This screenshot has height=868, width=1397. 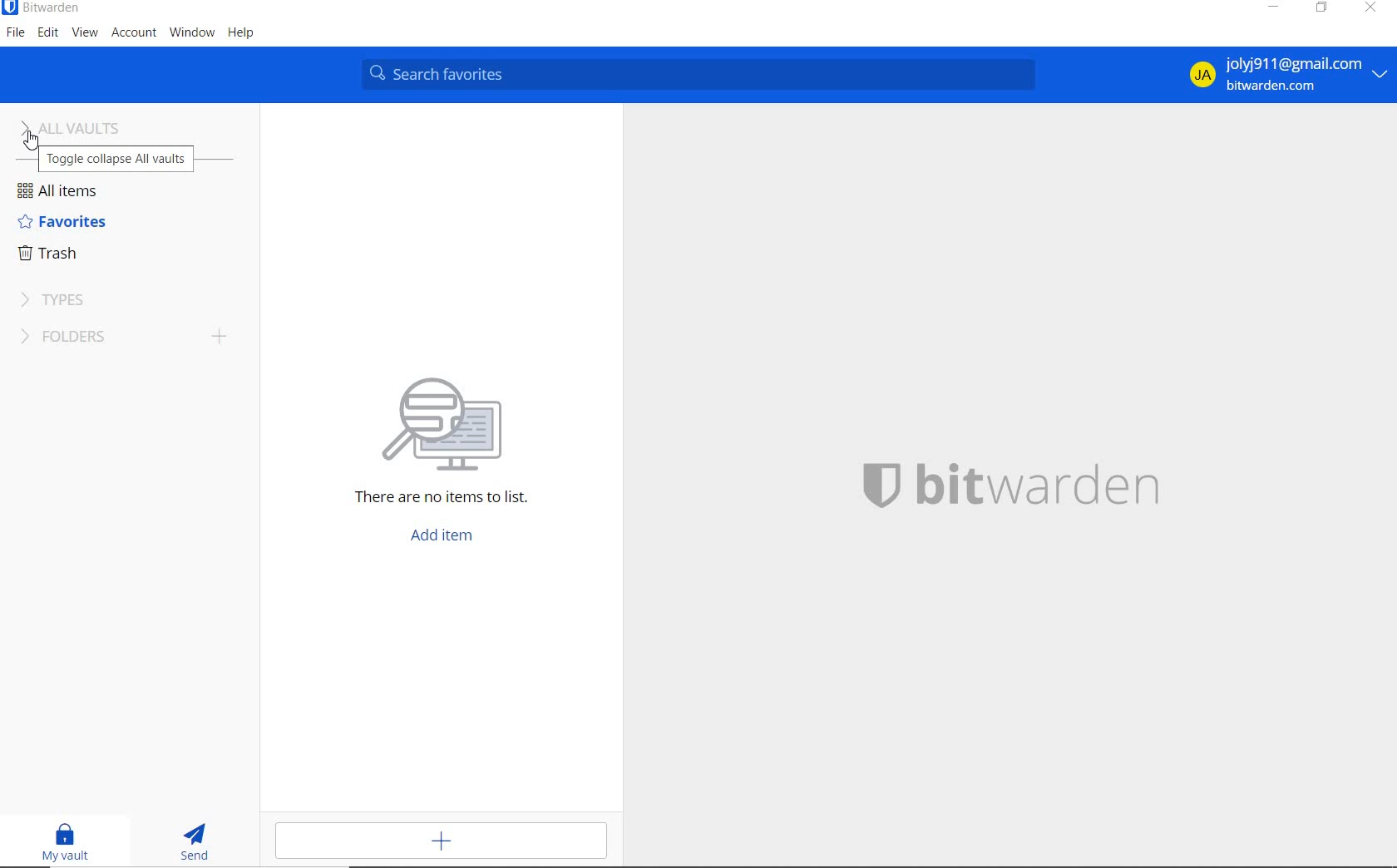 What do you see at coordinates (1042, 482) in the screenshot?
I see `SYSTEM LOGO` at bounding box center [1042, 482].